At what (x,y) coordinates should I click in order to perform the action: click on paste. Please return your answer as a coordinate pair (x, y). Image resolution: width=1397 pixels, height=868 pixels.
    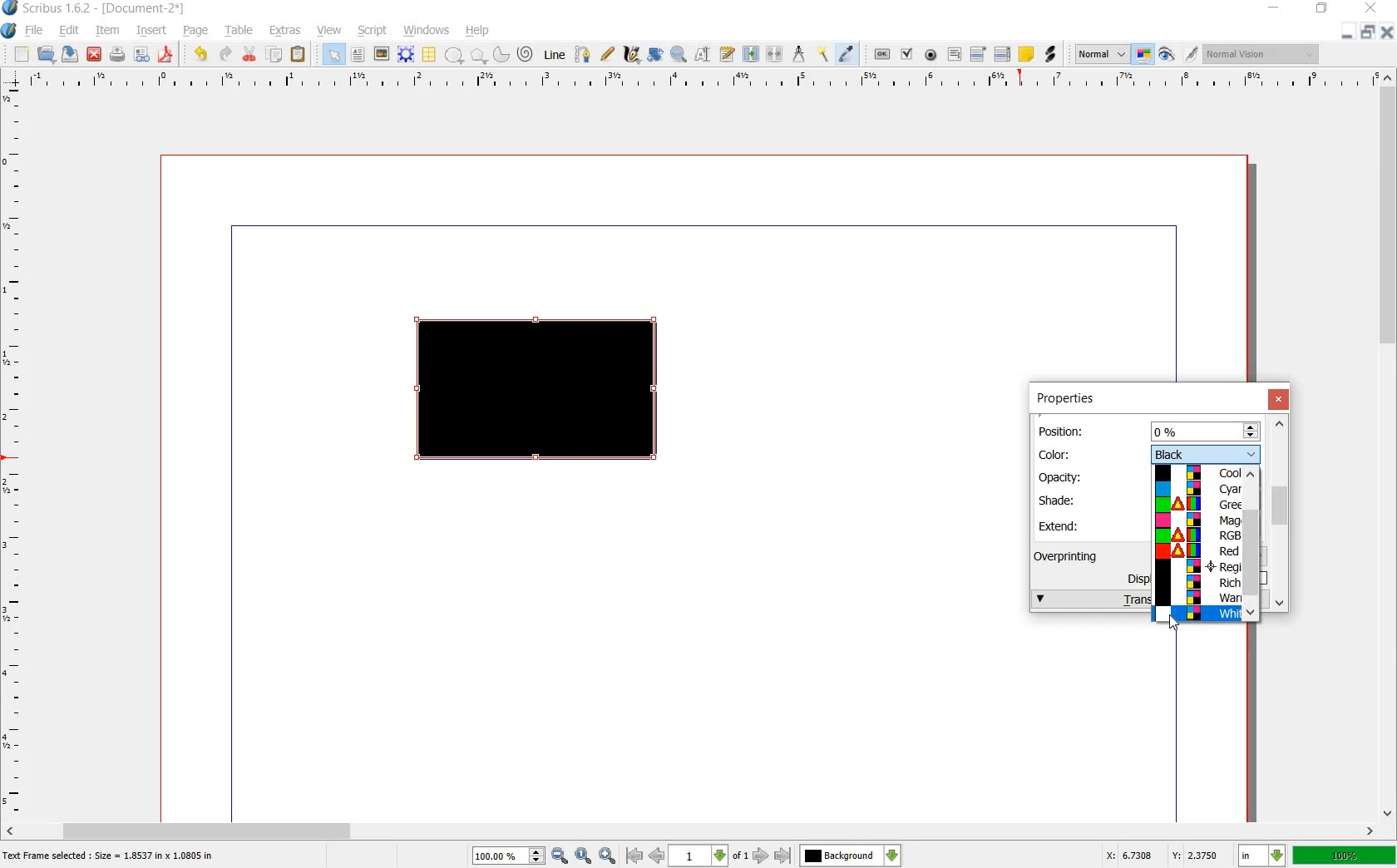
    Looking at the image, I should click on (299, 55).